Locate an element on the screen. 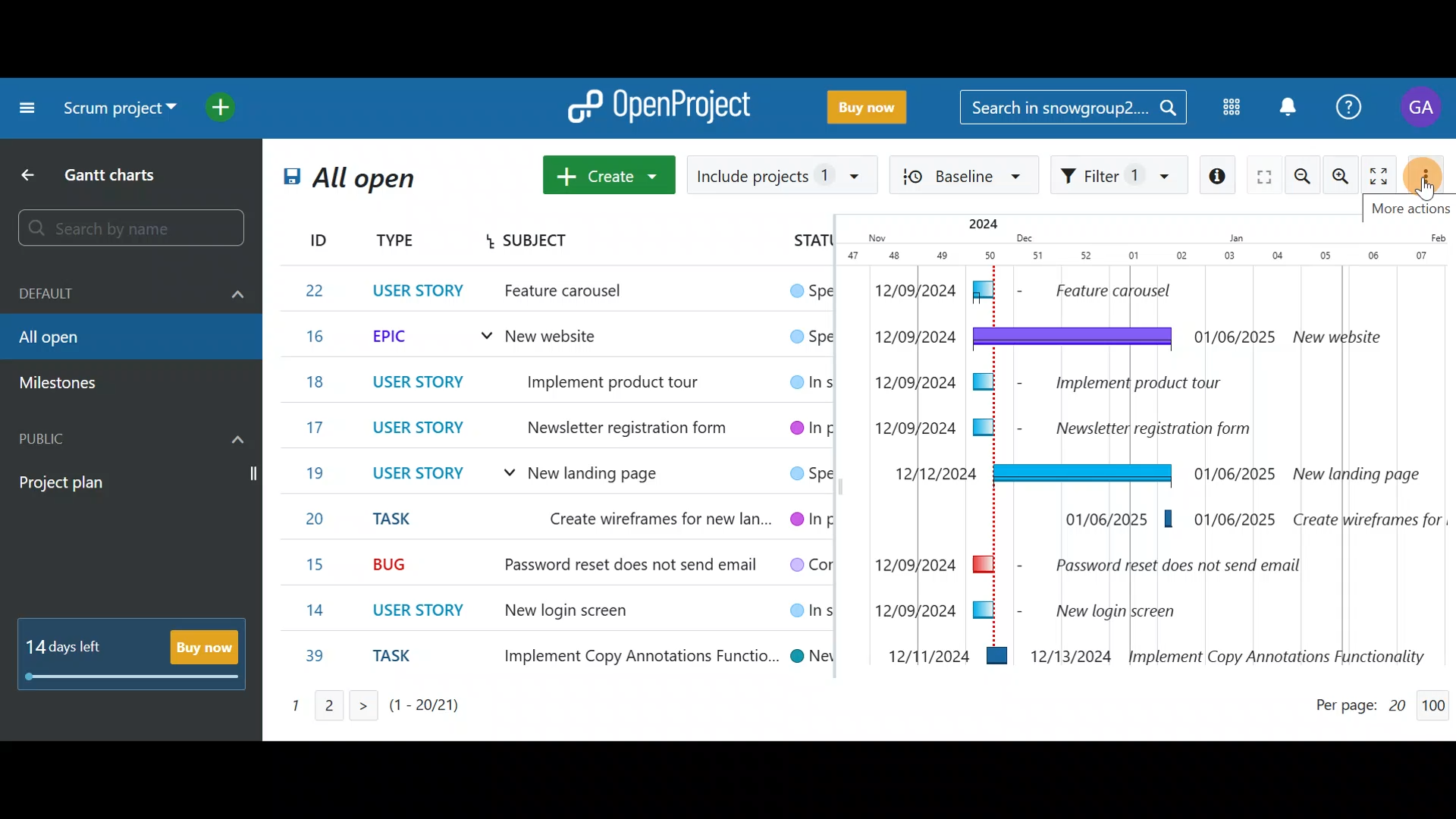 This screenshot has height=819, width=1456. 100 is located at coordinates (1437, 701).